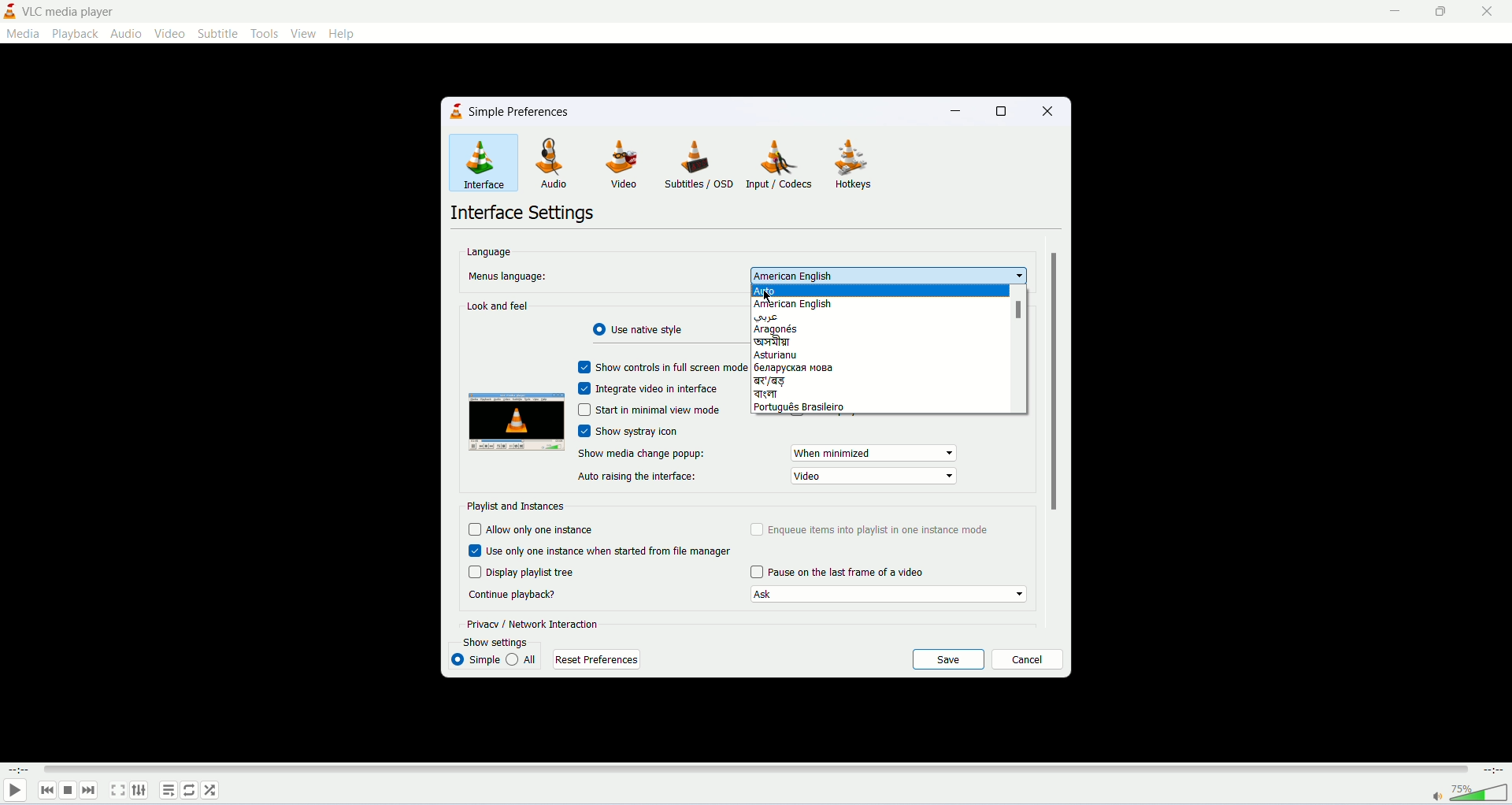 This screenshot has width=1512, height=805. I want to click on logo, so click(9, 10).